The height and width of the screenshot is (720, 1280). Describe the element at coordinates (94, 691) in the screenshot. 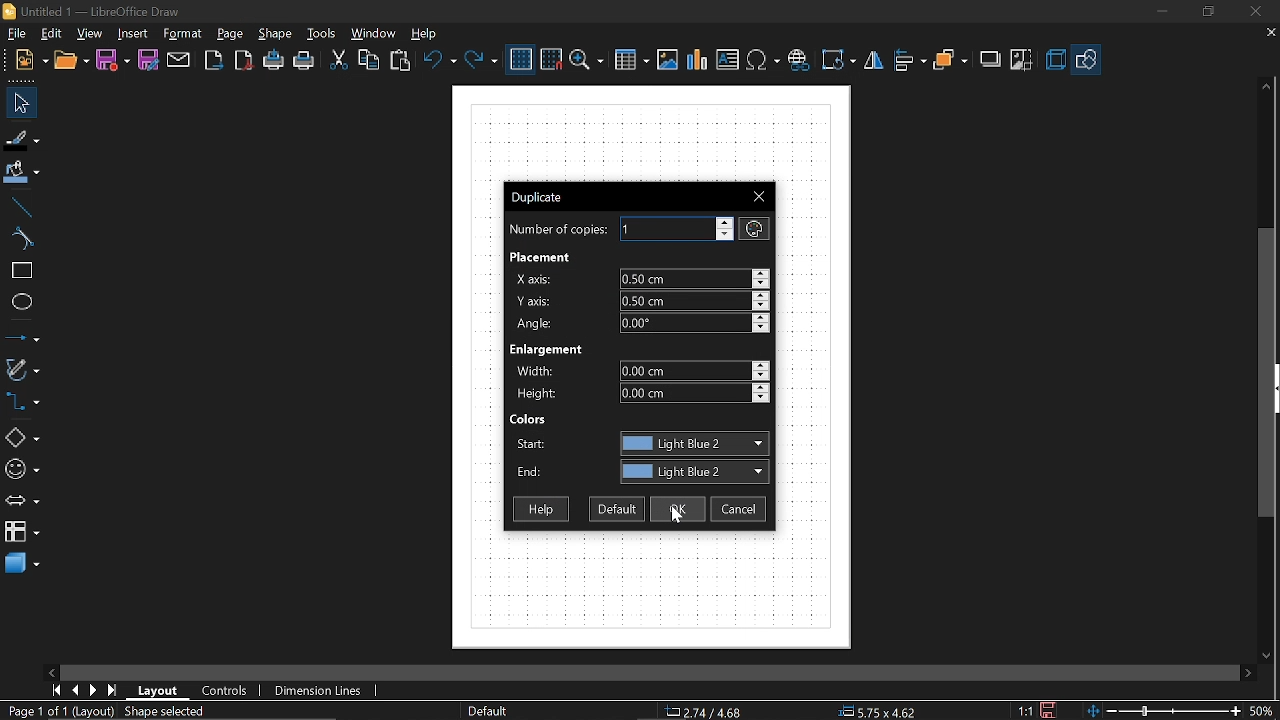

I see `next page` at that location.